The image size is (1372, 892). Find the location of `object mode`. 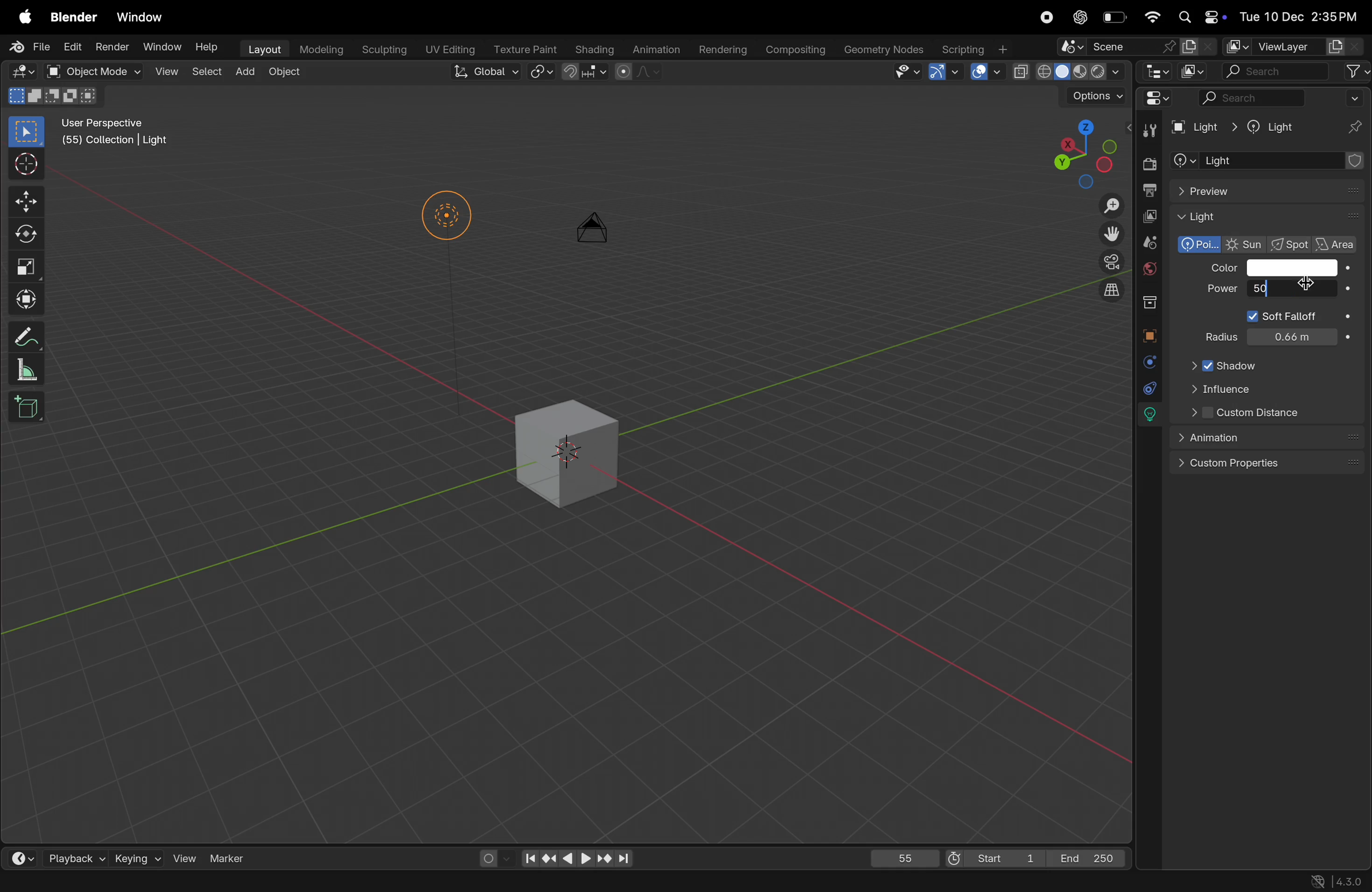

object mode is located at coordinates (93, 71).